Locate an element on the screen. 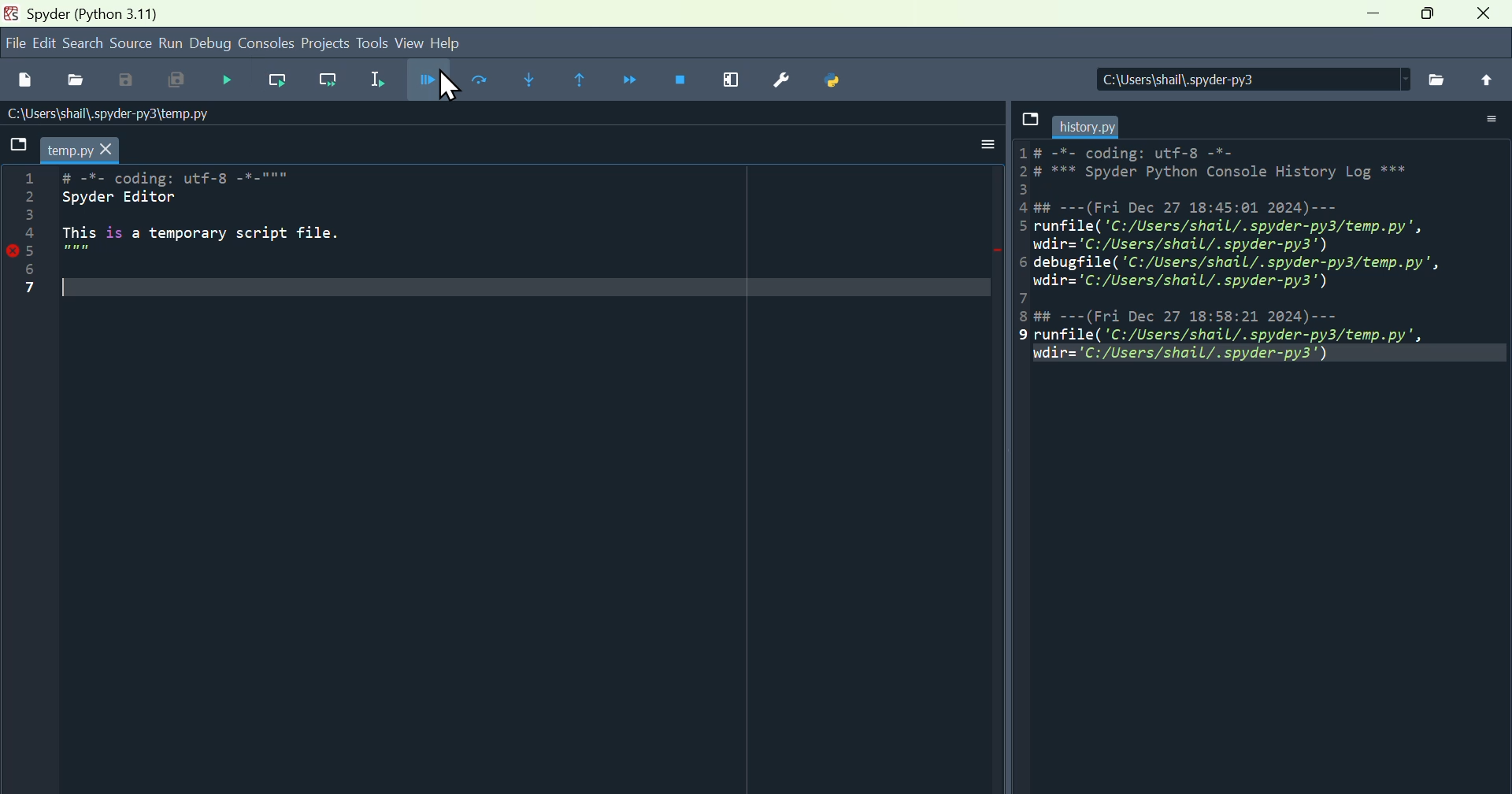 This screenshot has width=1512, height=794. Preferences is located at coordinates (787, 80).